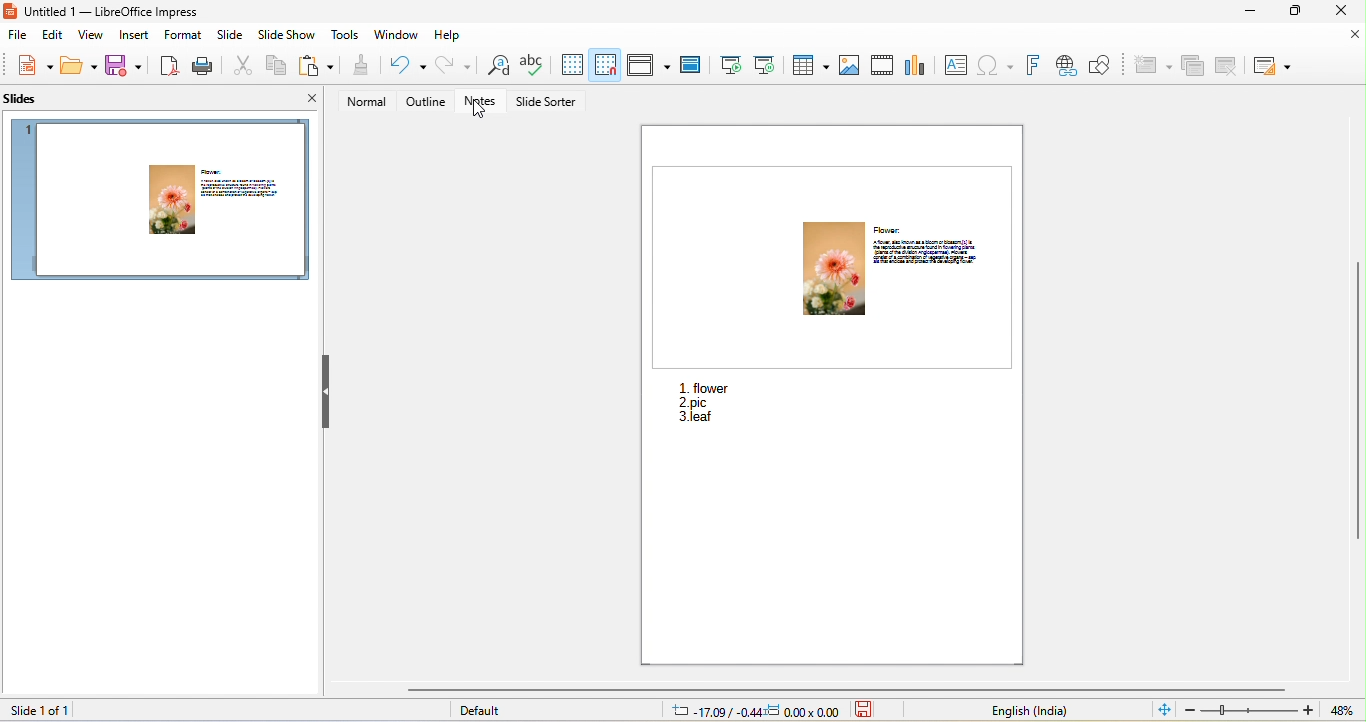 Image resolution: width=1366 pixels, height=722 pixels. What do you see at coordinates (891, 229) in the screenshot?
I see `flower` at bounding box center [891, 229].